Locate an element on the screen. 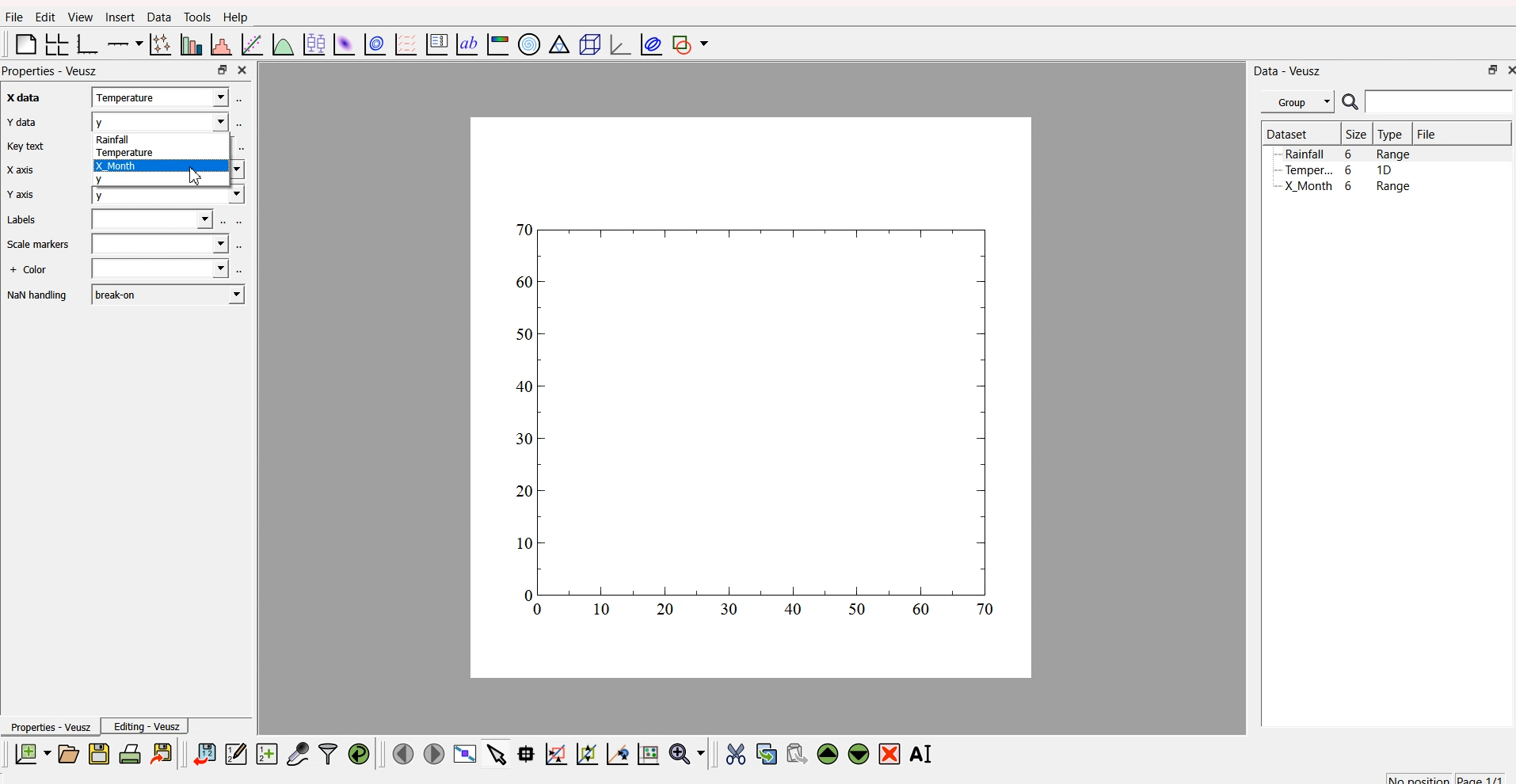 This screenshot has height=784, width=1516. plot function is located at coordinates (283, 45).